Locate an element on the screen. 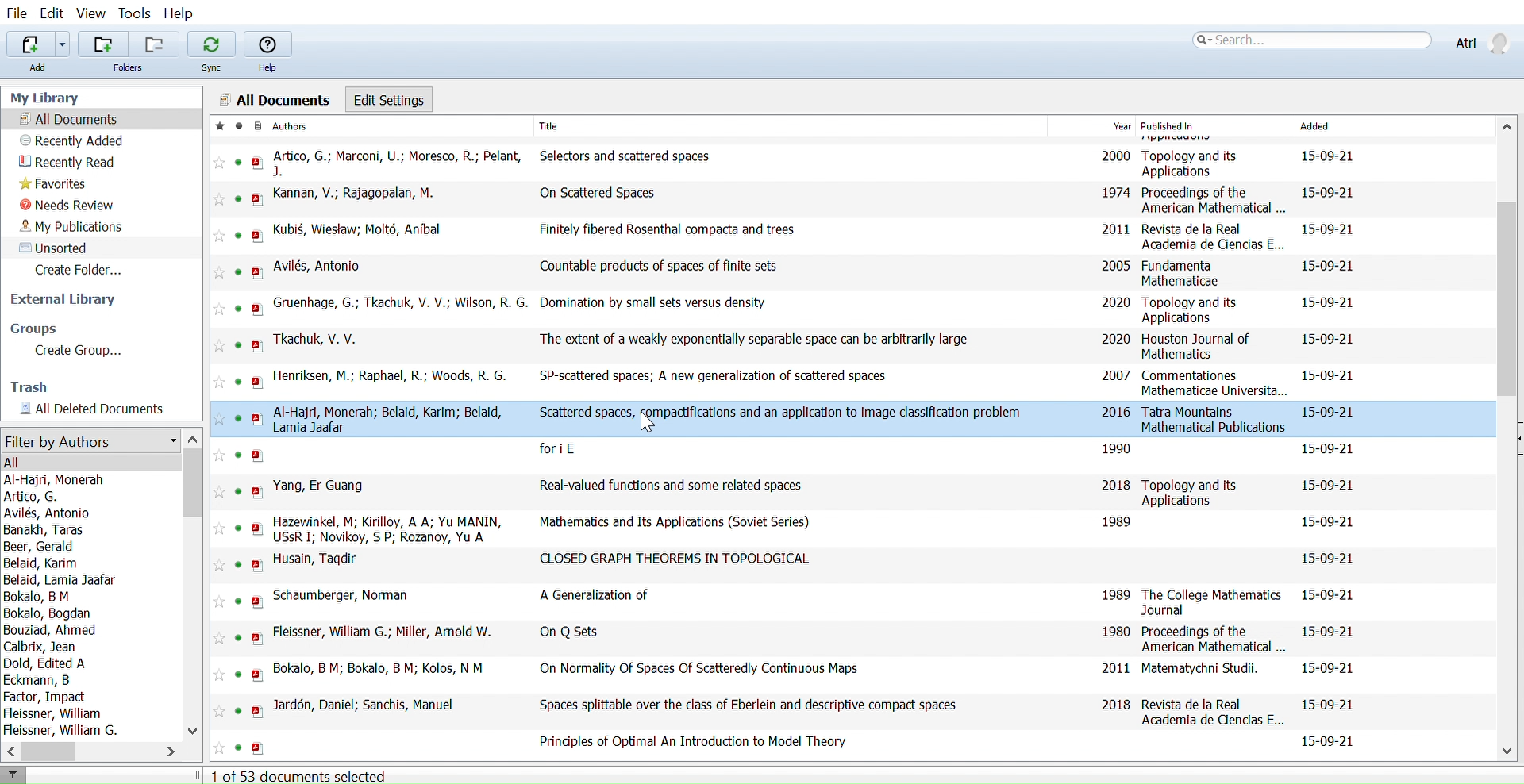  Commendtationes Mathematicae Universita... is located at coordinates (1213, 383).